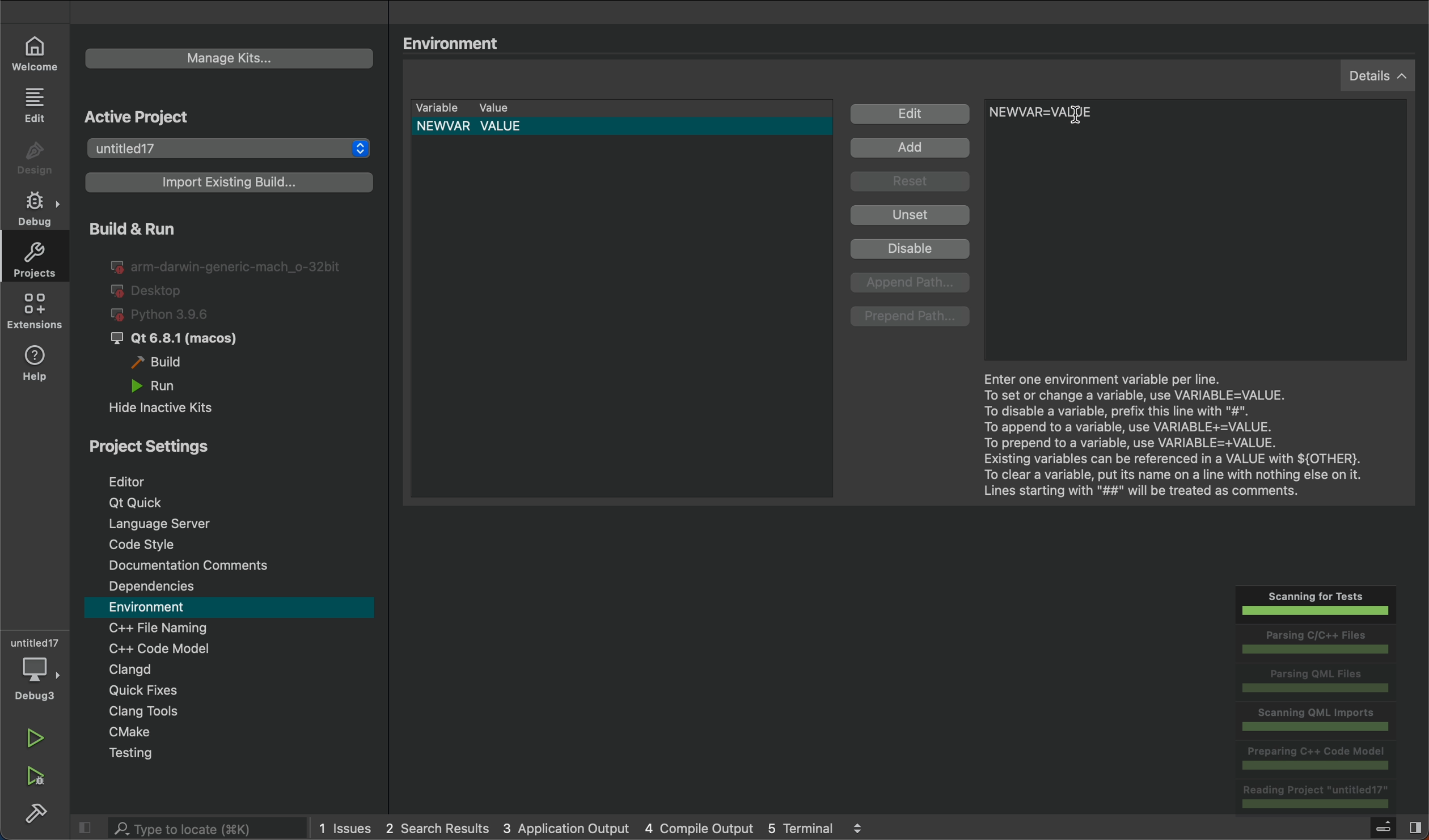 This screenshot has width=1429, height=840. What do you see at coordinates (912, 283) in the screenshot?
I see `append` at bounding box center [912, 283].